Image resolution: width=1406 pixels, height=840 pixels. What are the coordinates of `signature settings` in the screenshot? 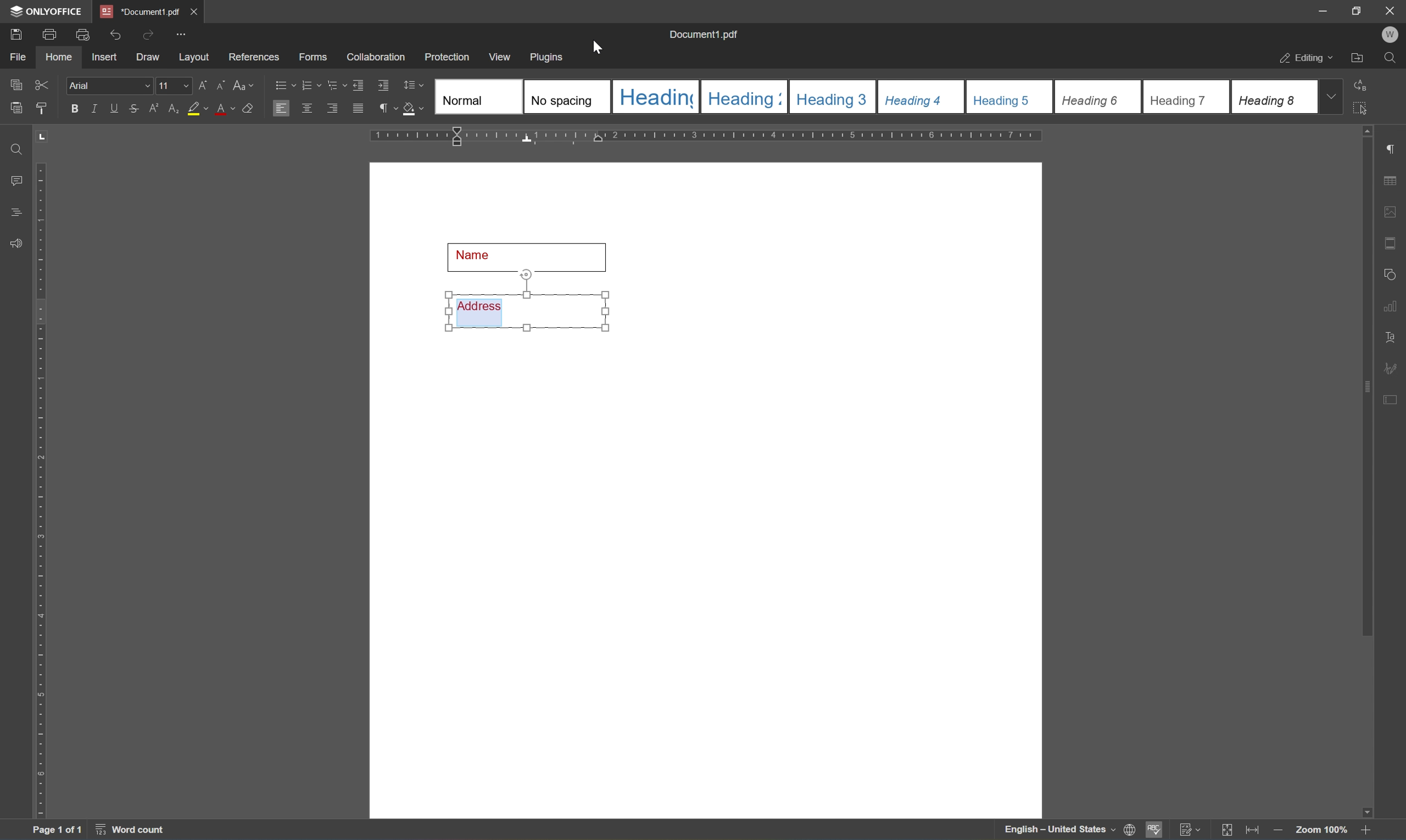 It's located at (1394, 367).